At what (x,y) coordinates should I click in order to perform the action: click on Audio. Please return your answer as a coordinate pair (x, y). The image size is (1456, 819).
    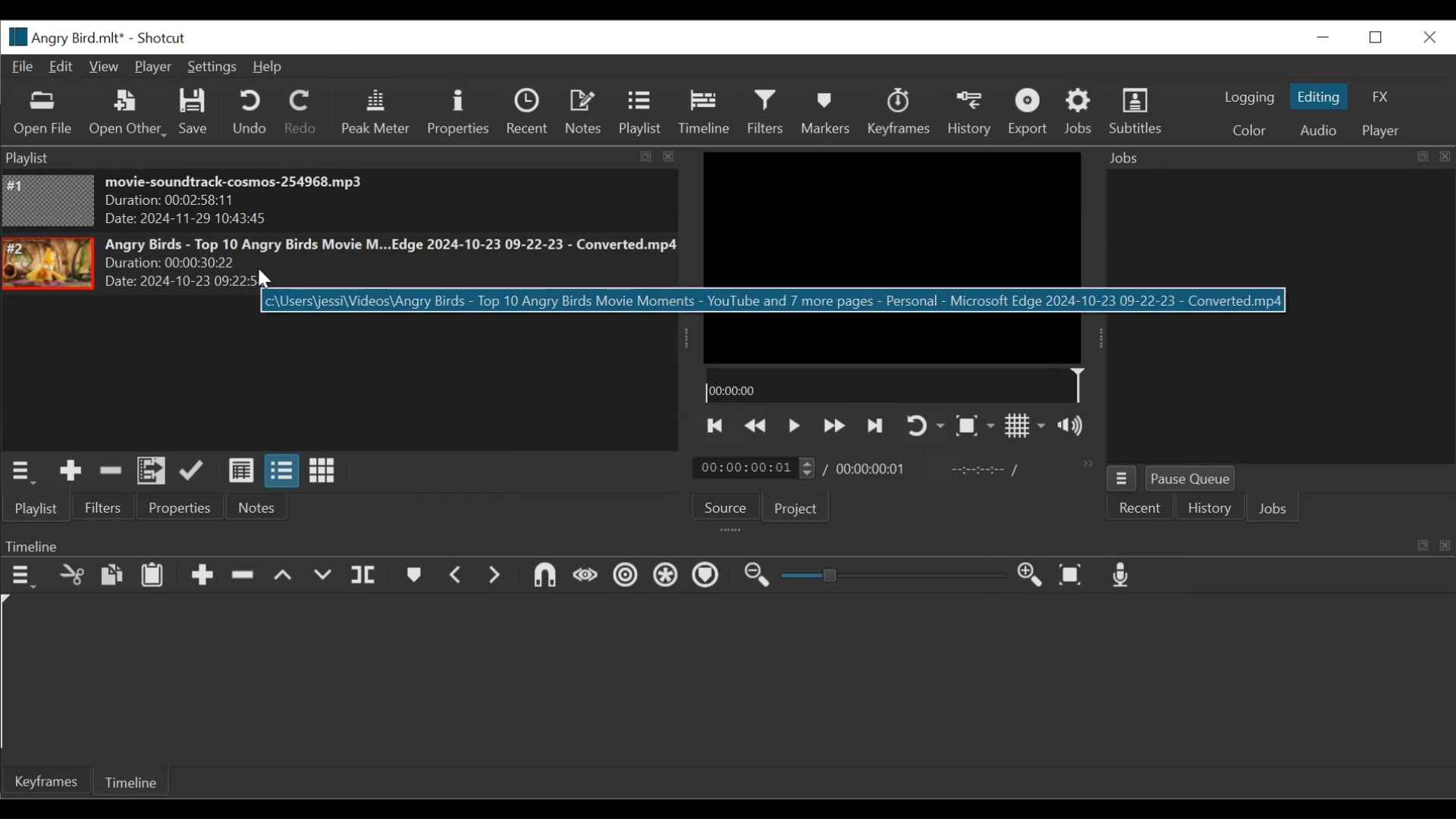
    Looking at the image, I should click on (1319, 130).